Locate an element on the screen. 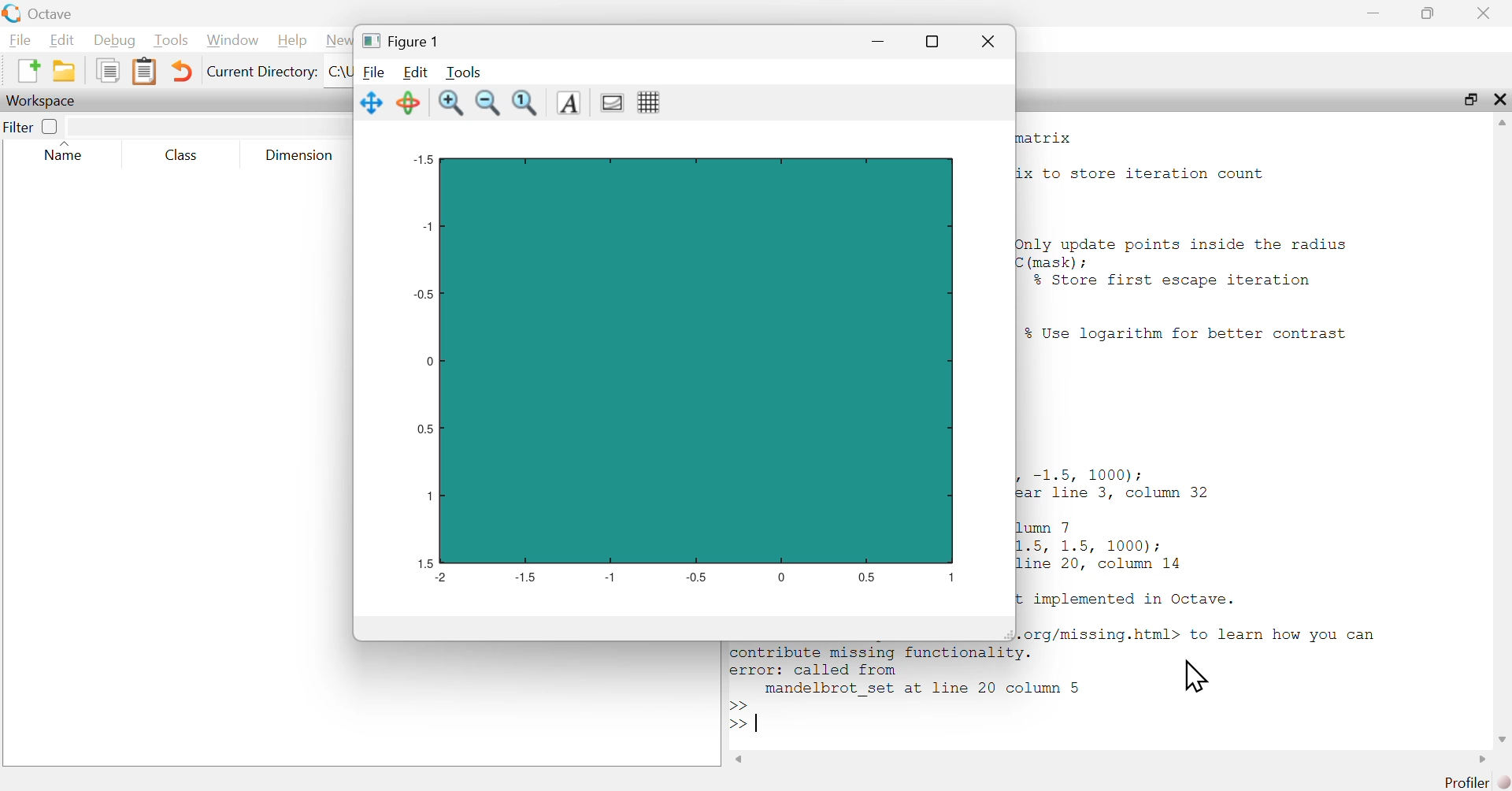  Edit is located at coordinates (415, 72).